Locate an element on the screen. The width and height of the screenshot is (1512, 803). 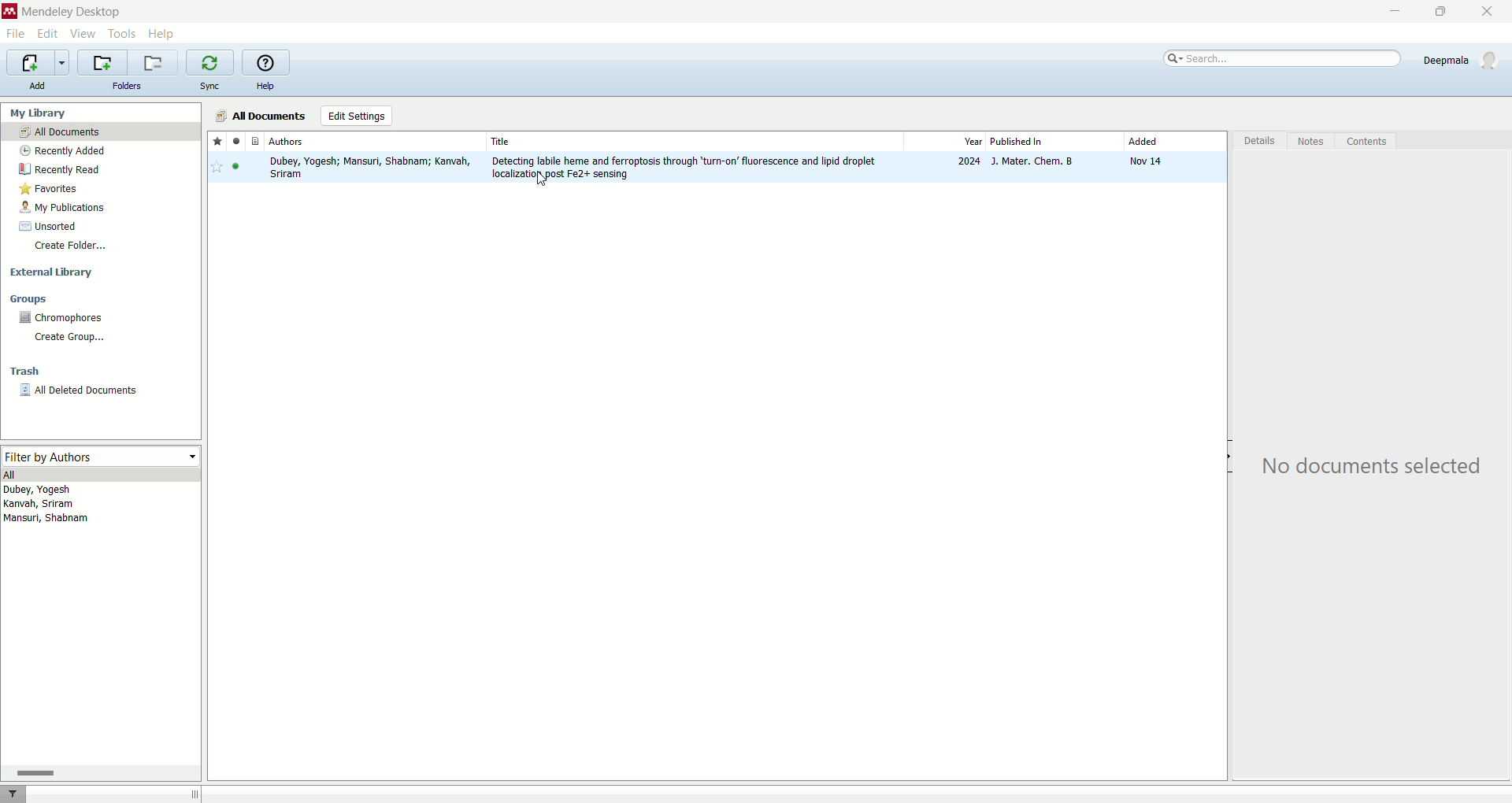
groups is located at coordinates (29, 298).